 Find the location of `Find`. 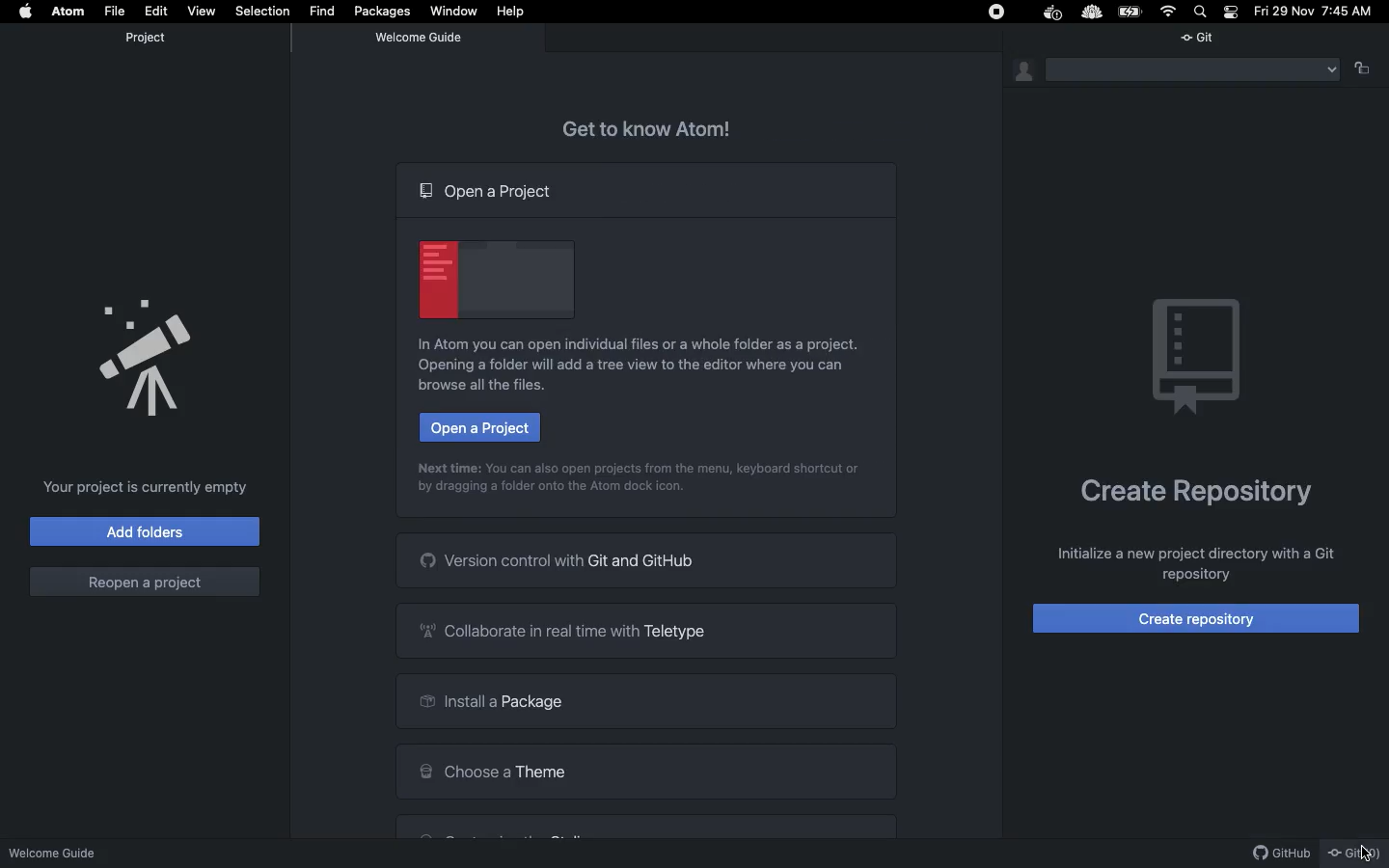

Find is located at coordinates (323, 11).